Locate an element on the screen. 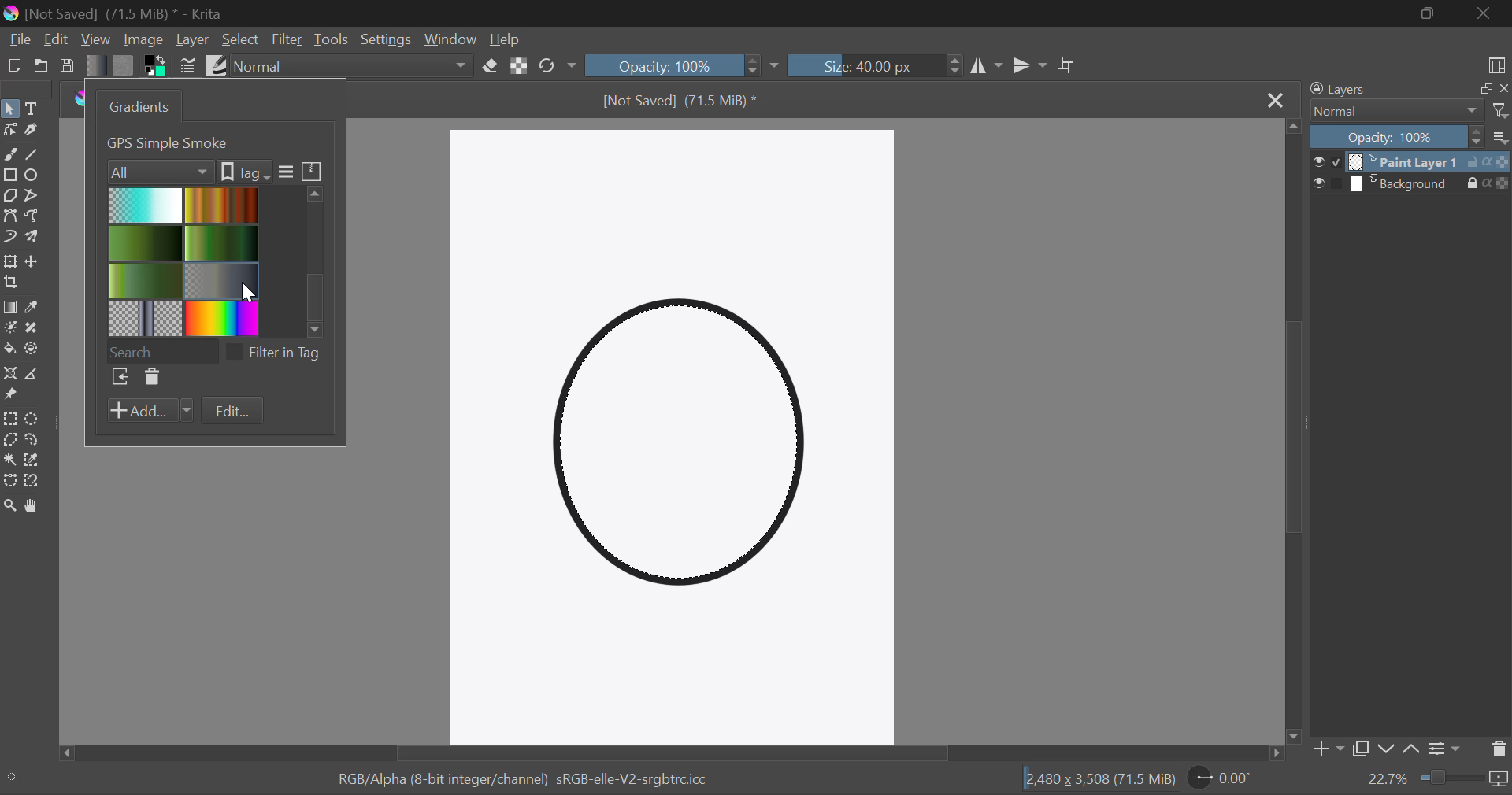 The image size is (1512, 795). Pattern is located at coordinates (124, 66).